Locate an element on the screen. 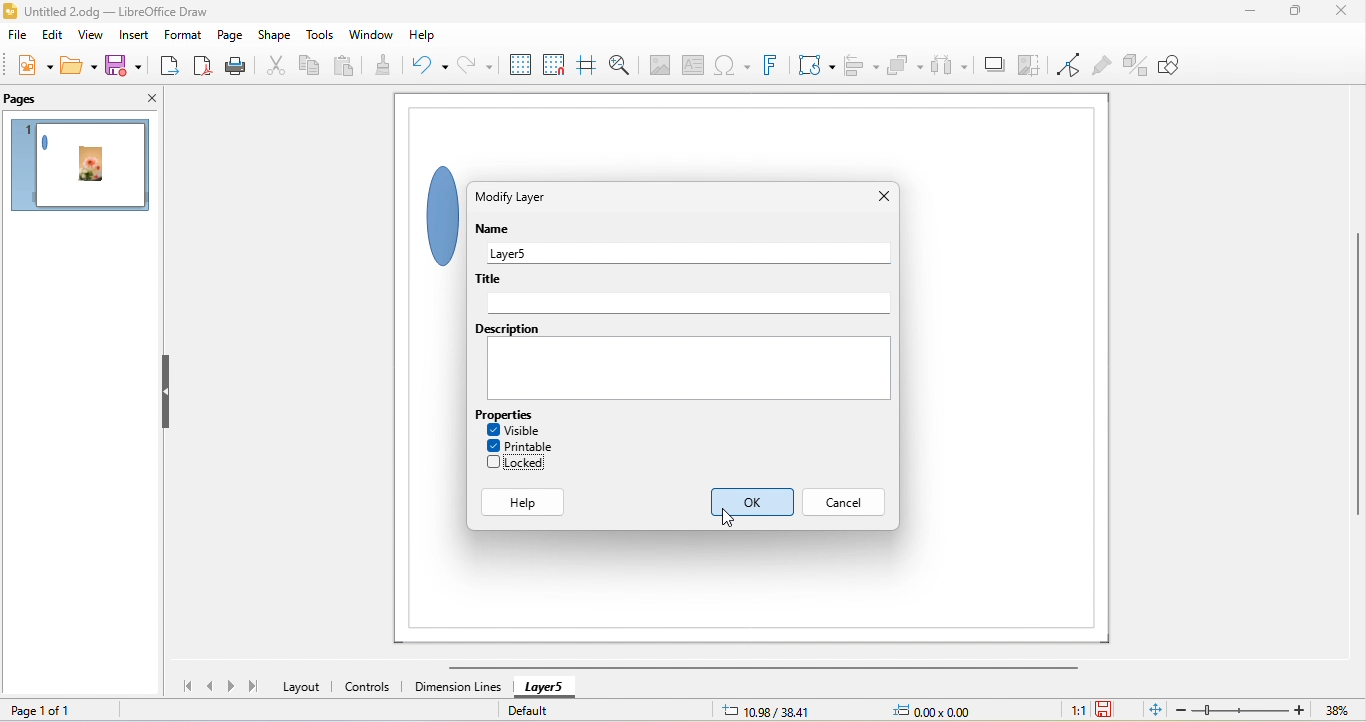  cut is located at coordinates (277, 67).